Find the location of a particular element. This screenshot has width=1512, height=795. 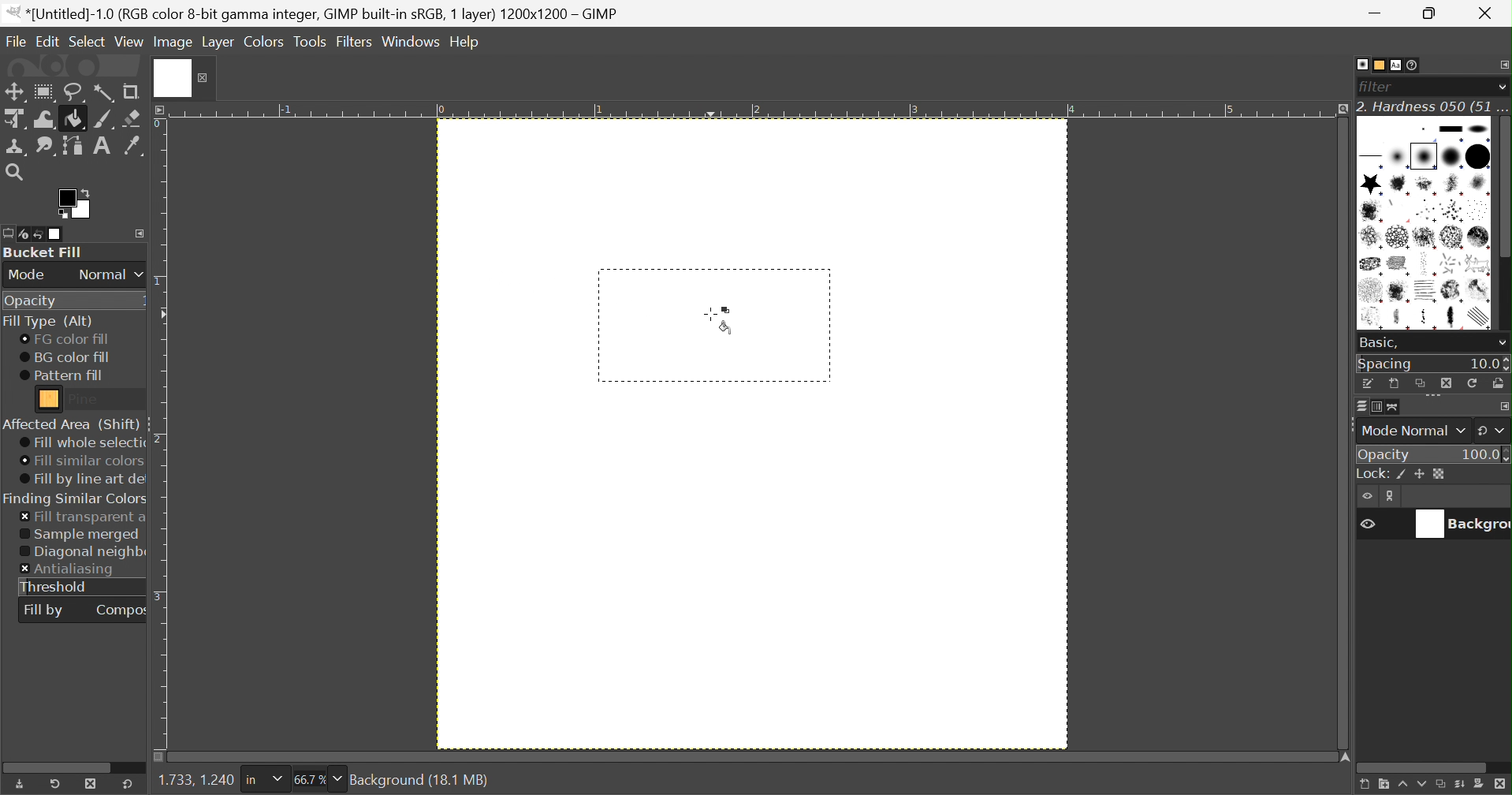

Drop down is located at coordinates (338, 778).